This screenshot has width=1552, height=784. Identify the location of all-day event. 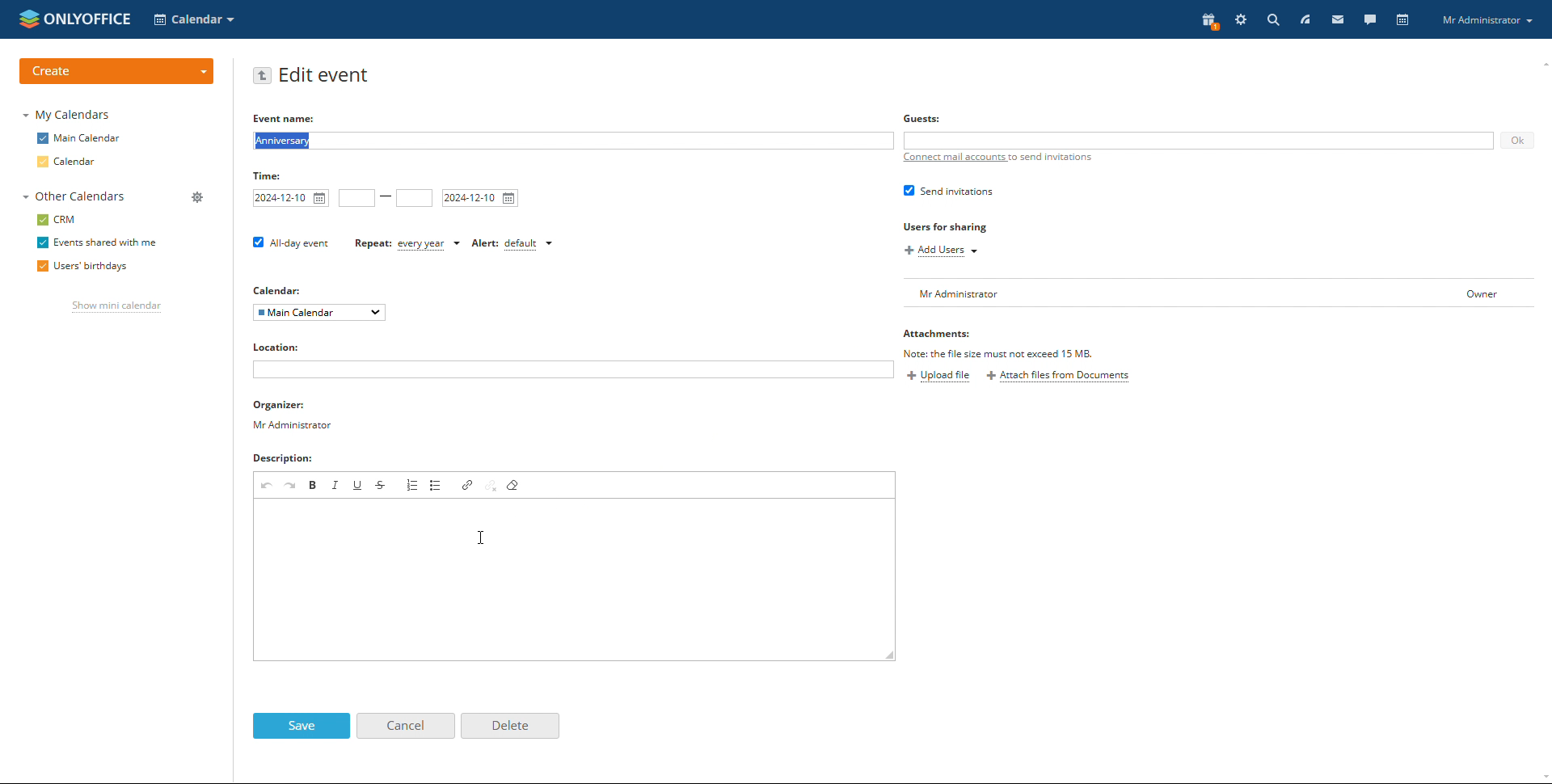
(291, 243).